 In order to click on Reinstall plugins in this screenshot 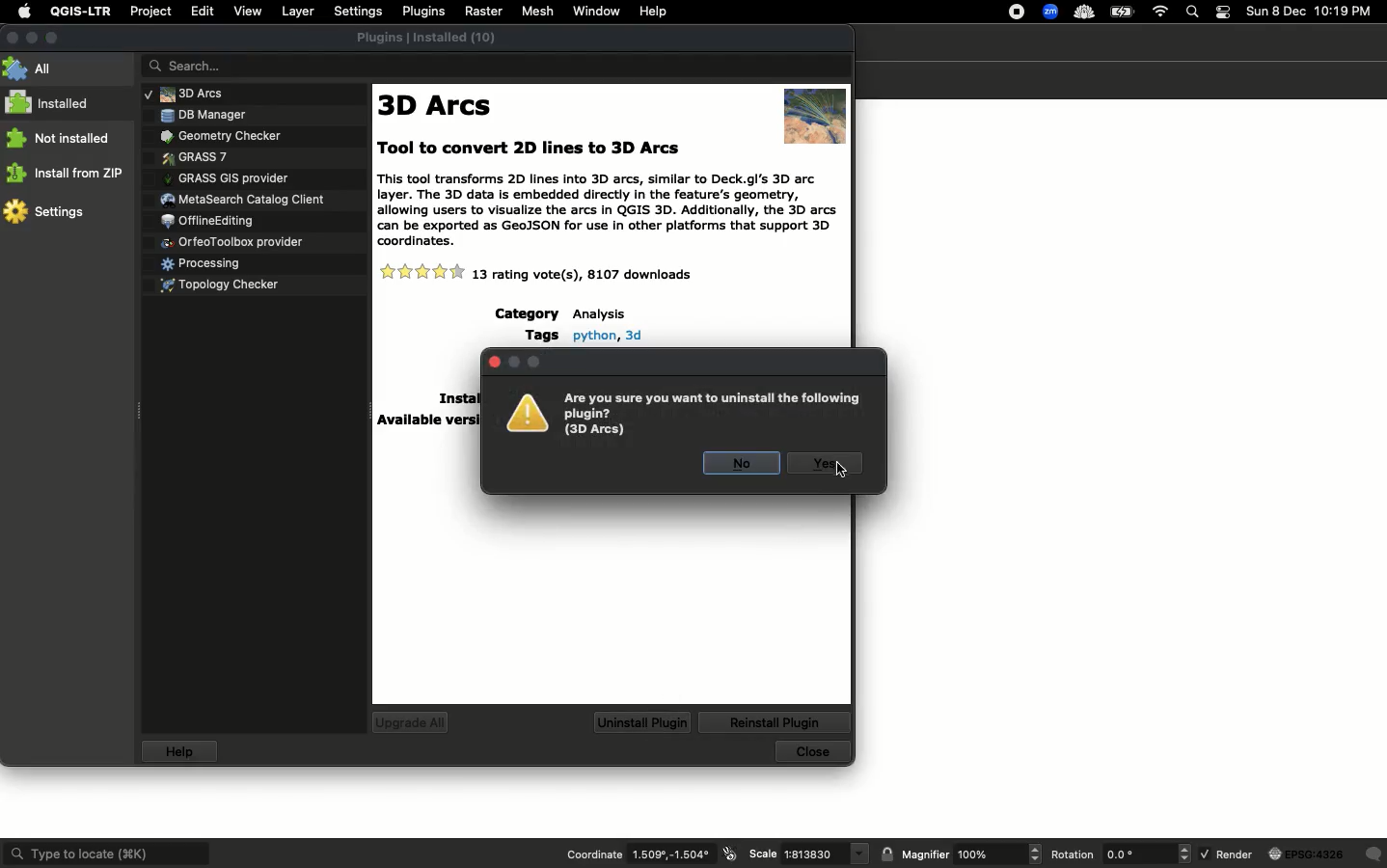, I will do `click(775, 722)`.